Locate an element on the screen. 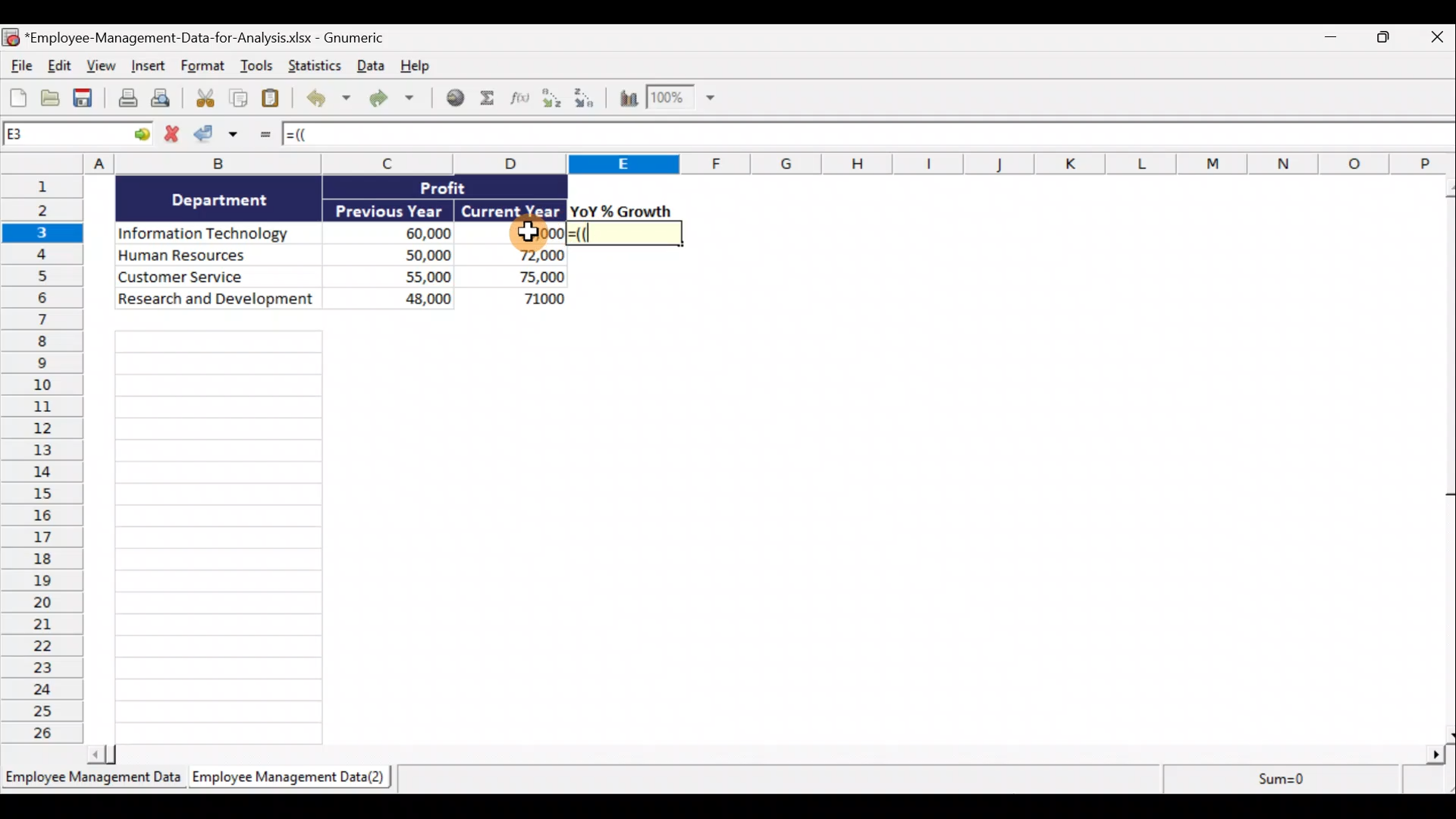 Image resolution: width=1456 pixels, height=819 pixels. Enter formula is located at coordinates (263, 137).